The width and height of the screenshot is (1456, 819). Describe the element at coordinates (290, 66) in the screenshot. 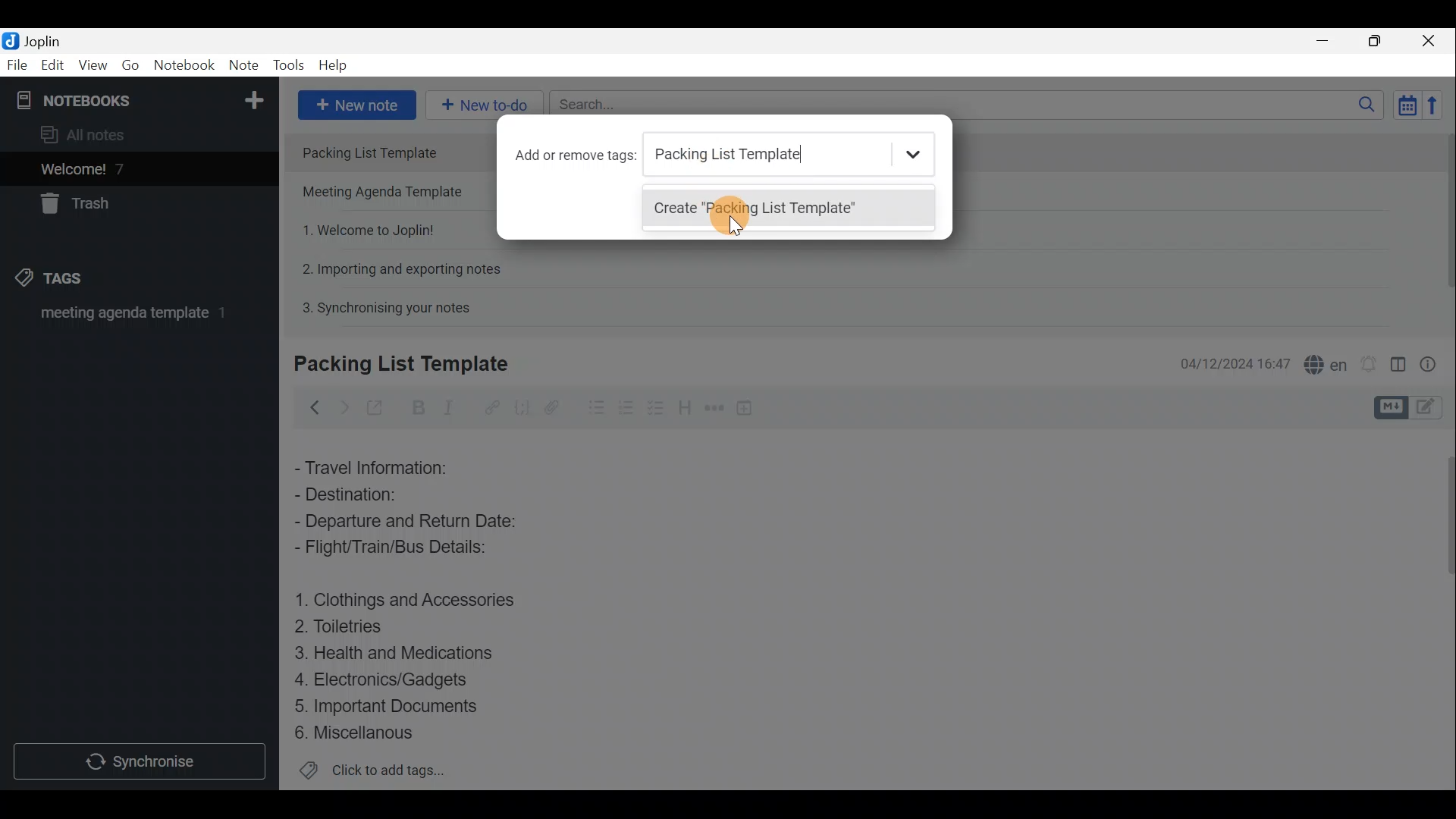

I see `Tools` at that location.